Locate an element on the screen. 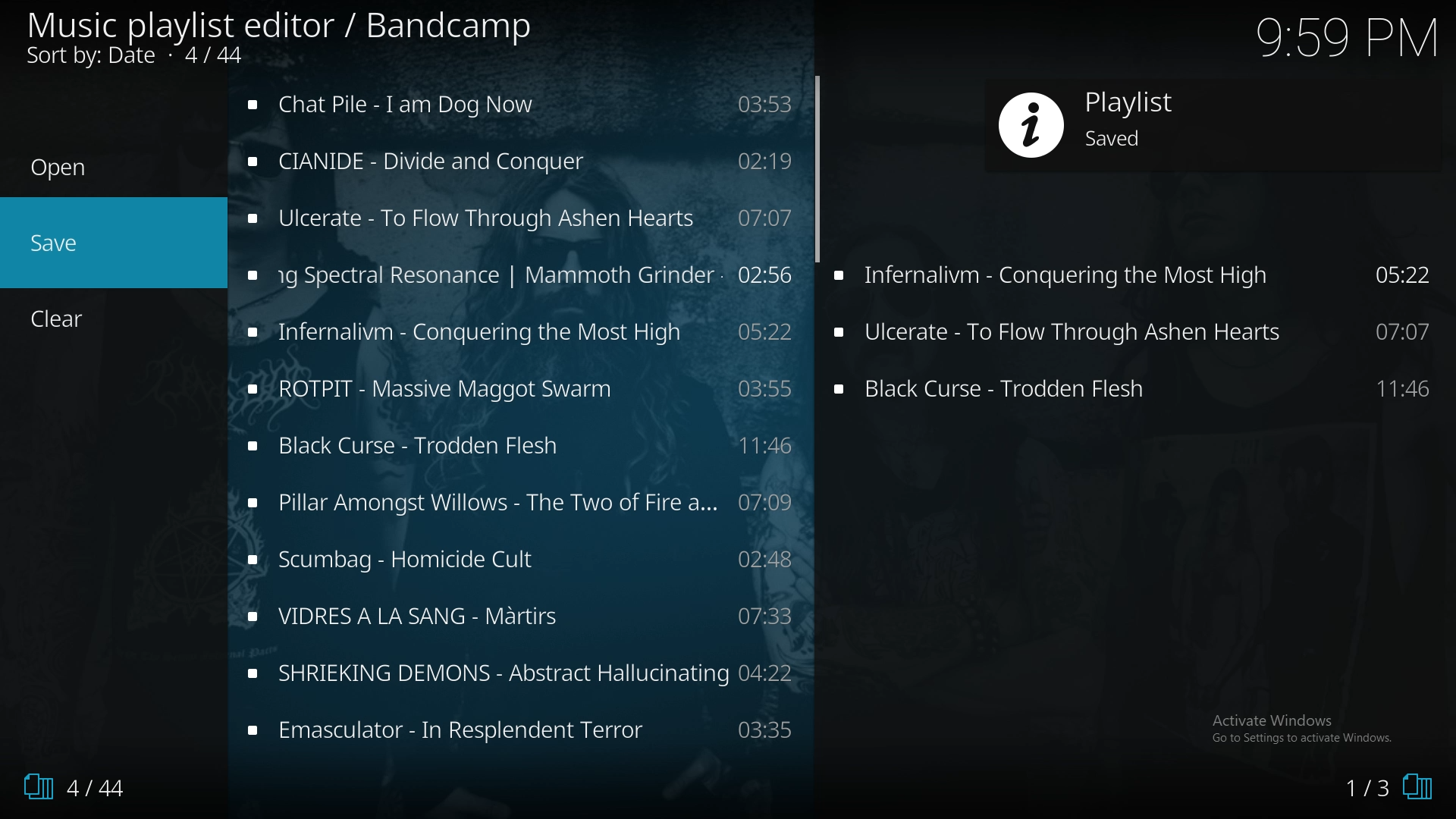  music is located at coordinates (519, 274).